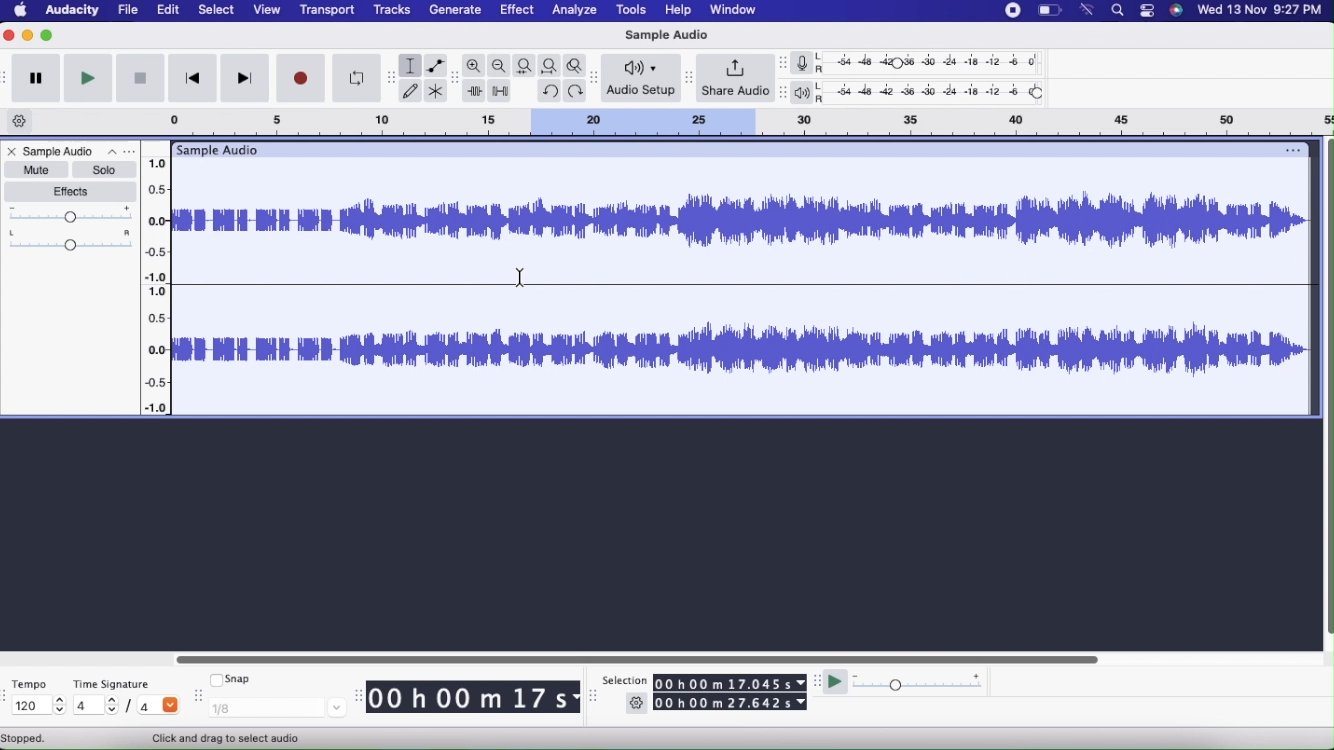  What do you see at coordinates (411, 66) in the screenshot?
I see `Selection tool` at bounding box center [411, 66].